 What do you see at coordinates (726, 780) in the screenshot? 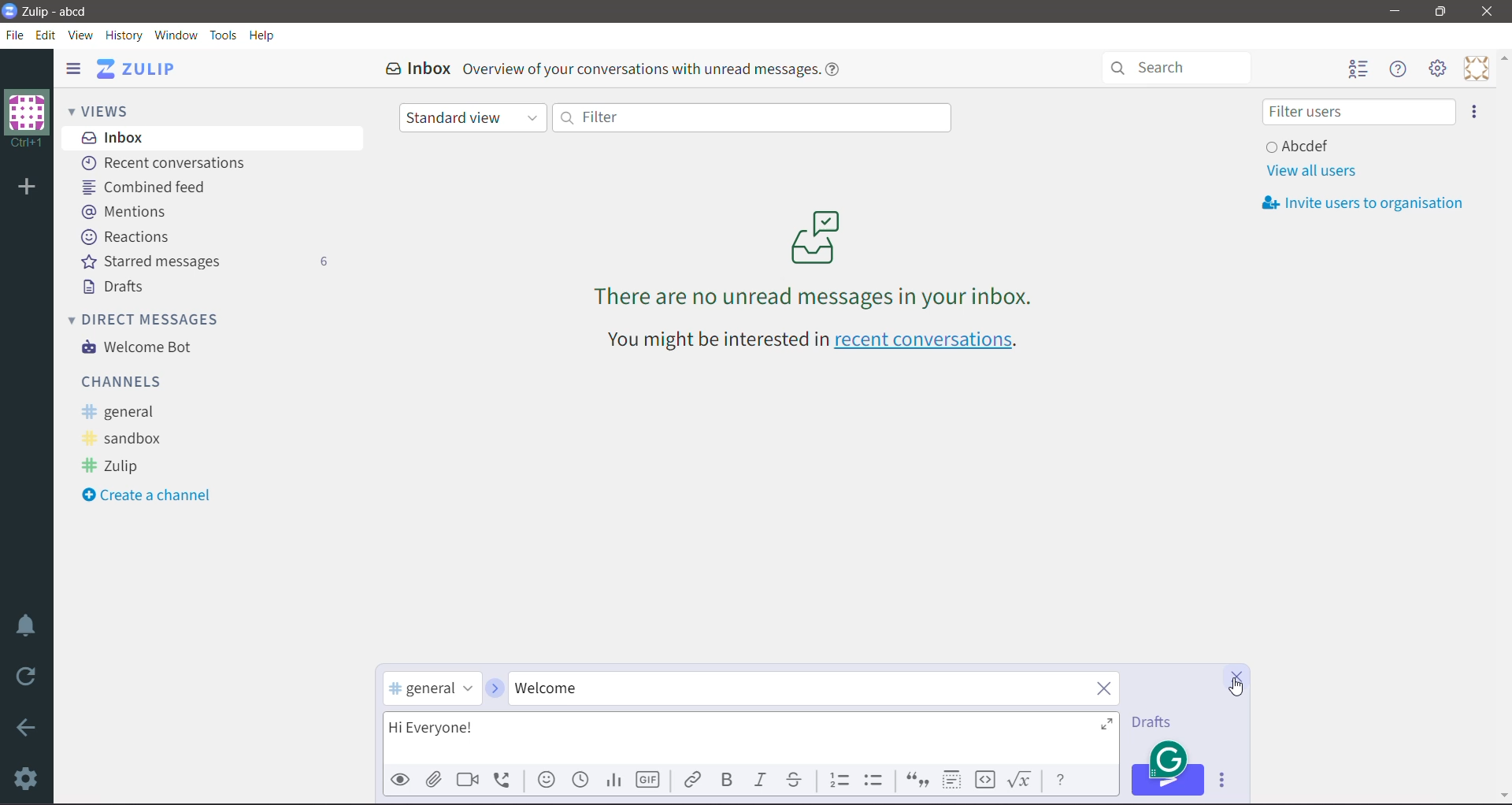
I see `Bold` at bounding box center [726, 780].